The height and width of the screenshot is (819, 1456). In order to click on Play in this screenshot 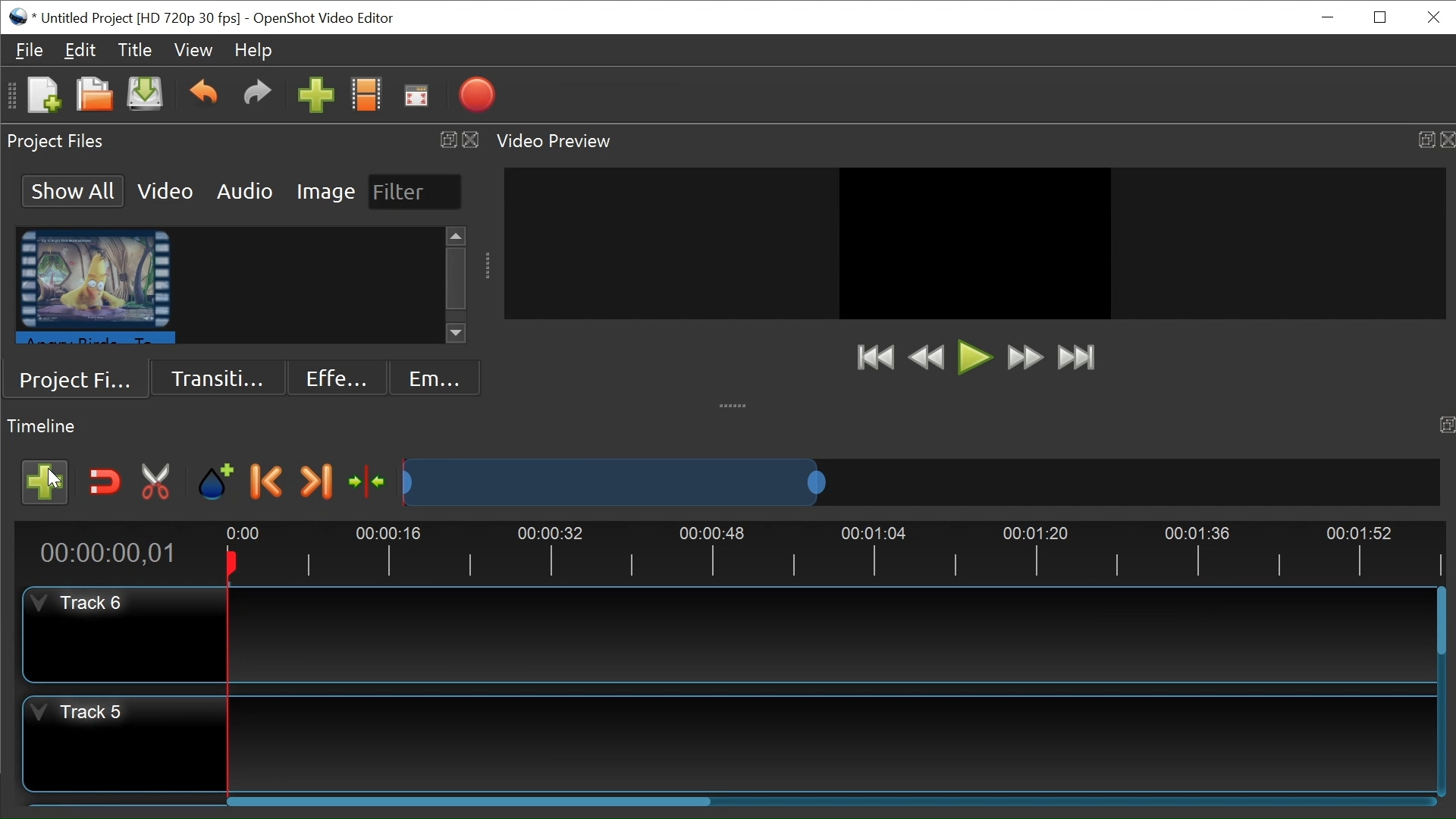, I will do `click(971, 356)`.